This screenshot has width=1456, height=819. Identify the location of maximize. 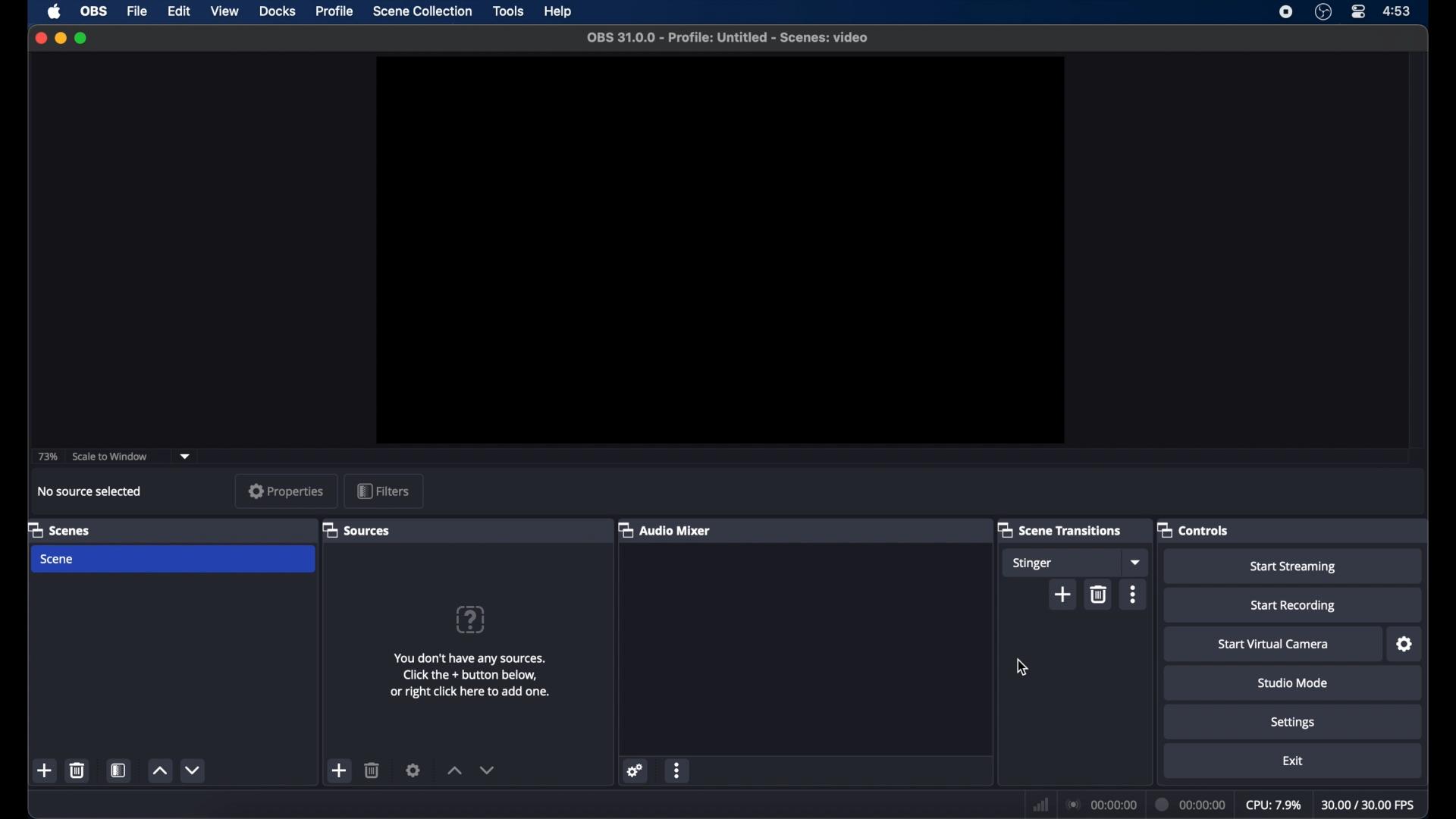
(82, 37).